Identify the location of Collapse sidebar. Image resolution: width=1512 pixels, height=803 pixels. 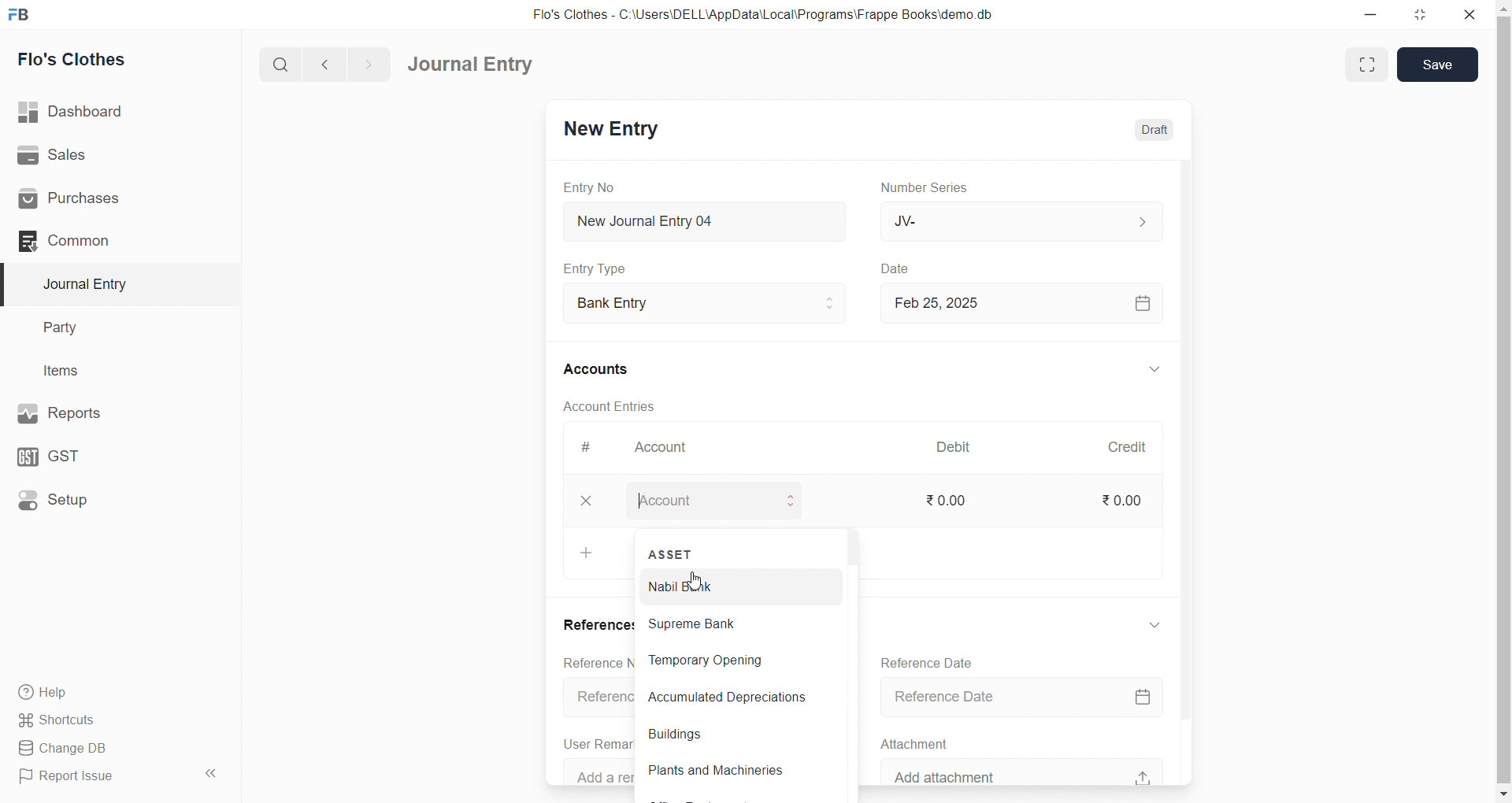
(213, 776).